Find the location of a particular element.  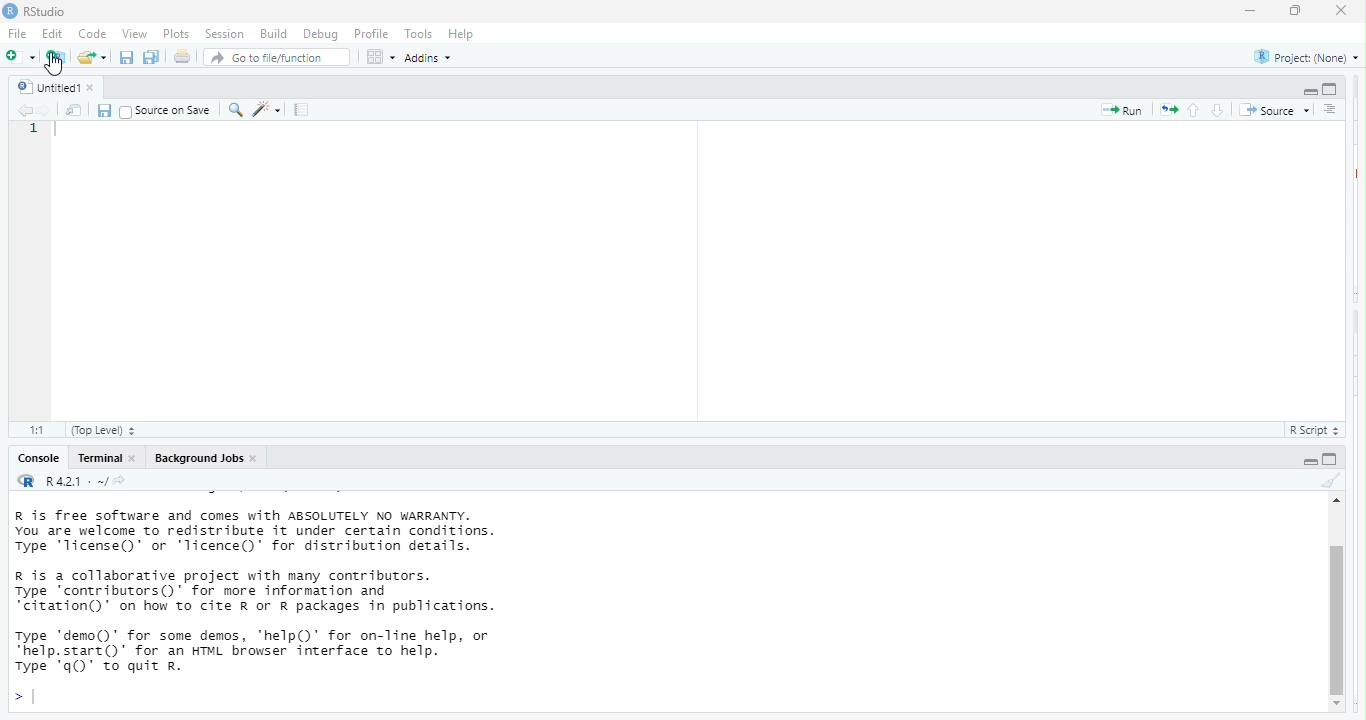

typing cursor is located at coordinates (26, 697).